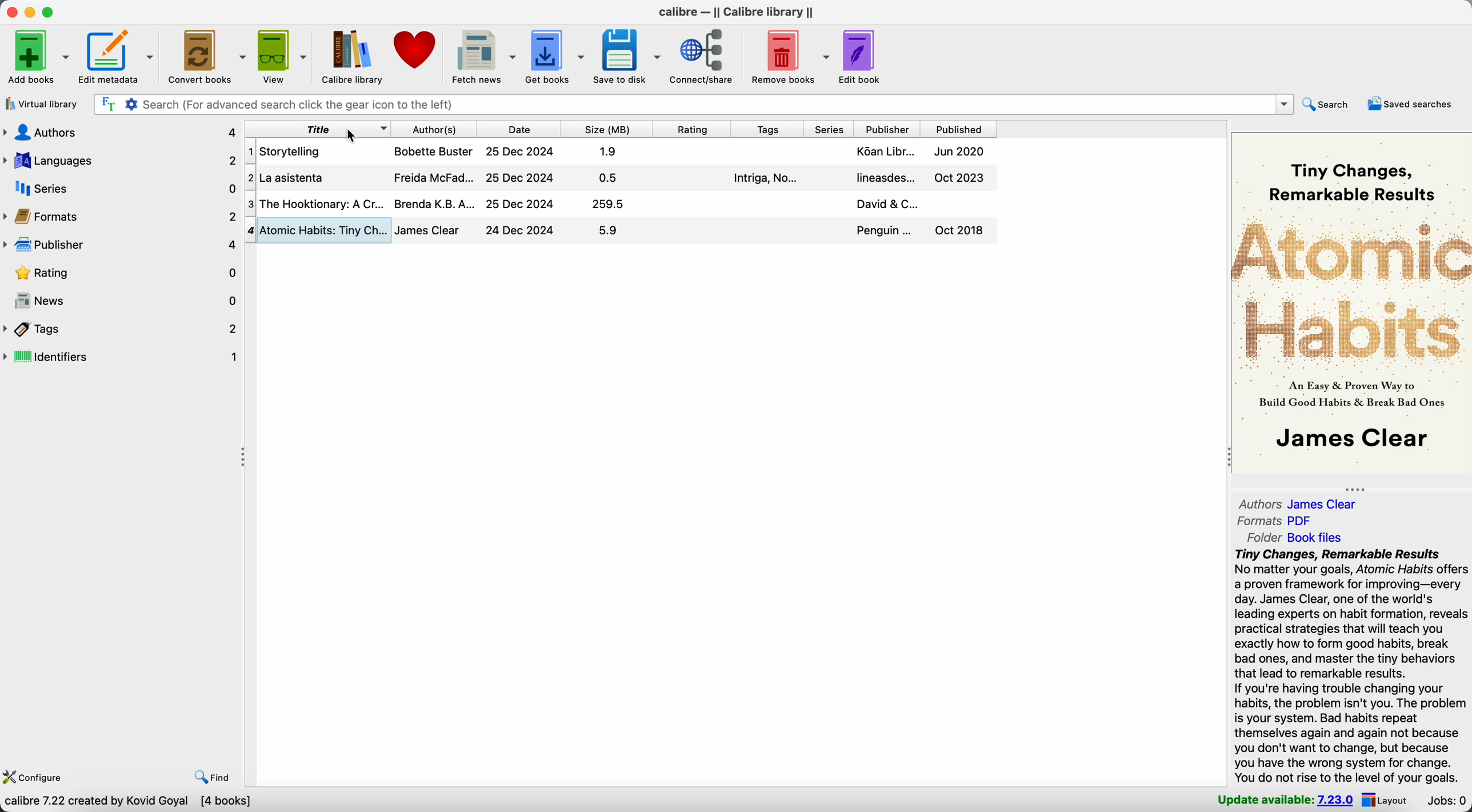 The image size is (1472, 812). I want to click on layout, so click(1387, 799).